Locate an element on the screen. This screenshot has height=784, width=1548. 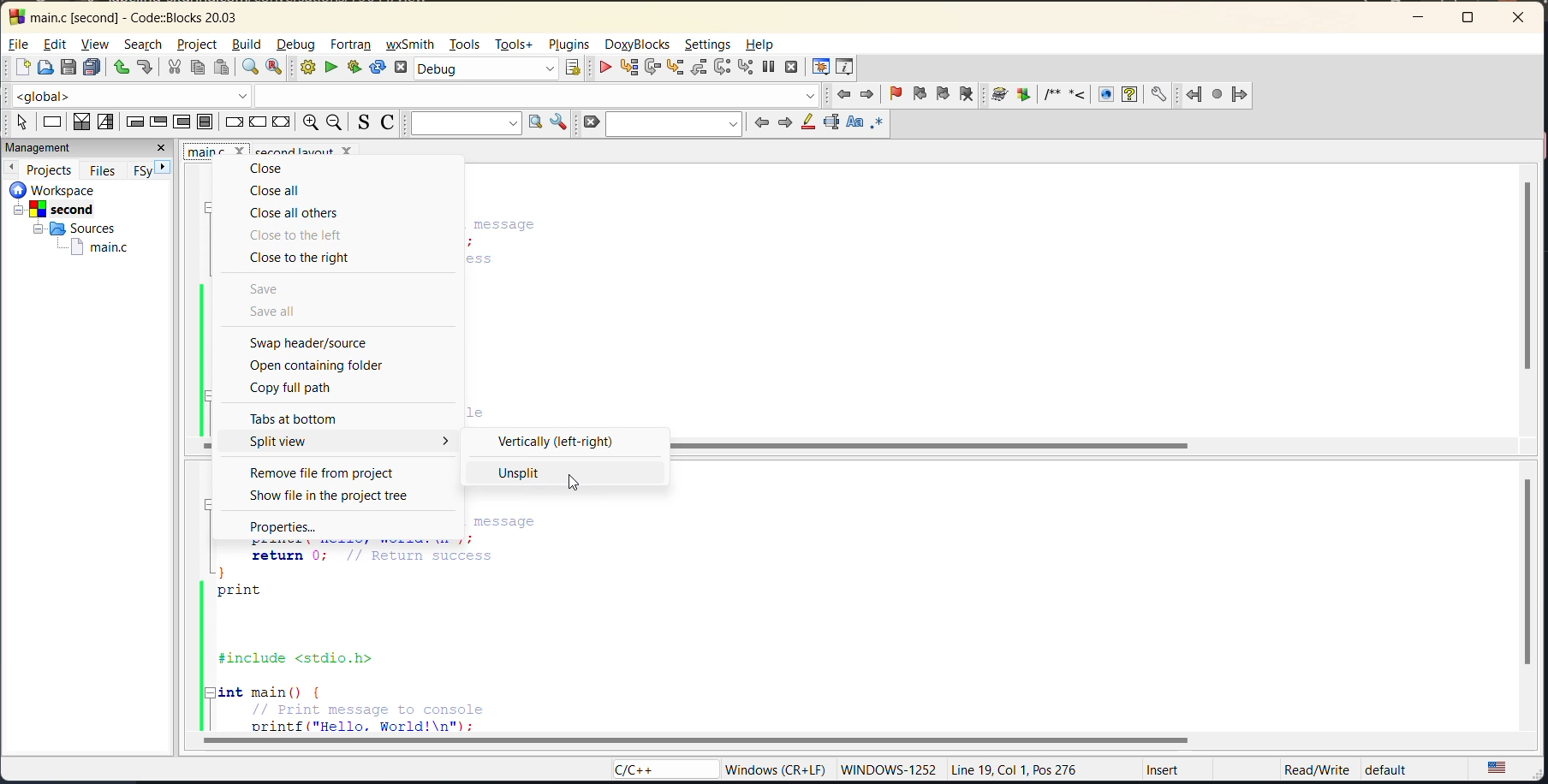
horizontal scroll bar is located at coordinates (697, 740).